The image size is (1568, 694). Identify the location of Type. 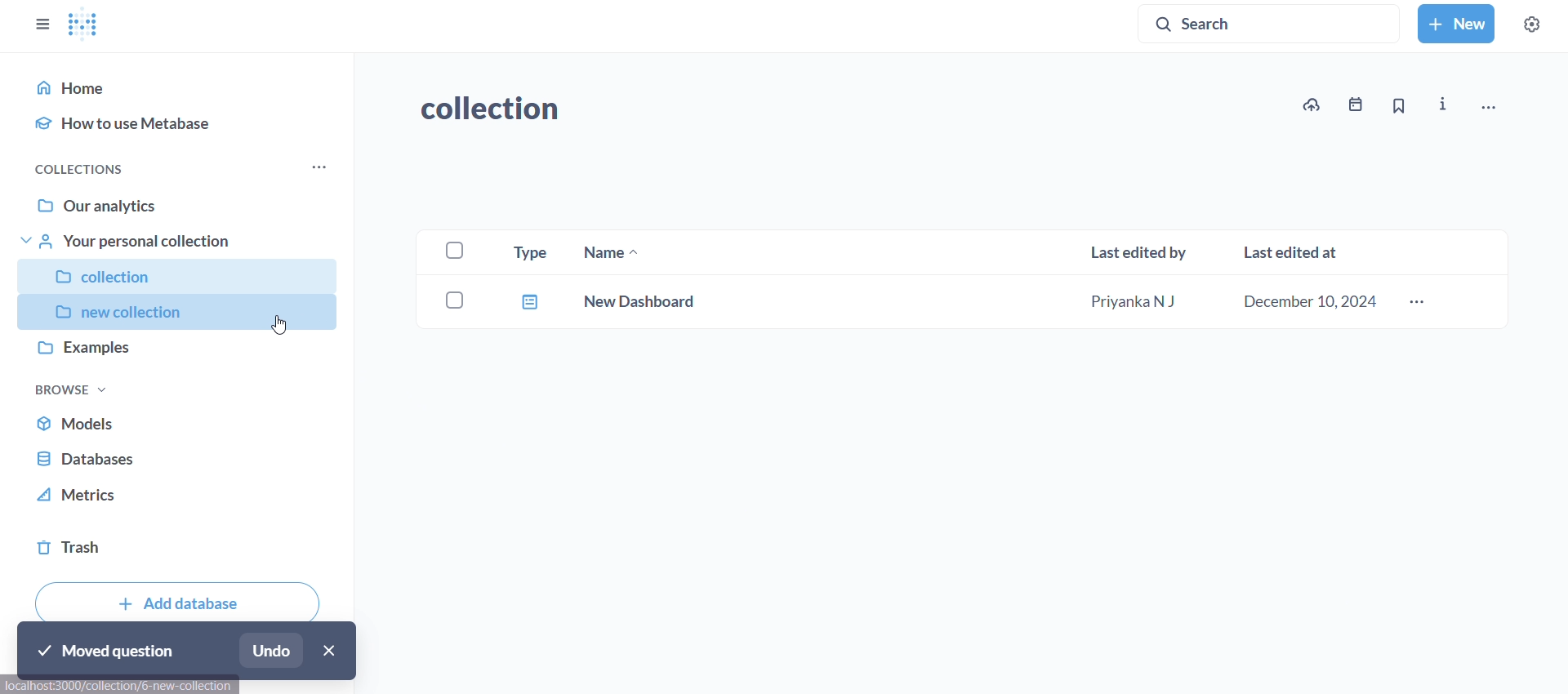
(524, 251).